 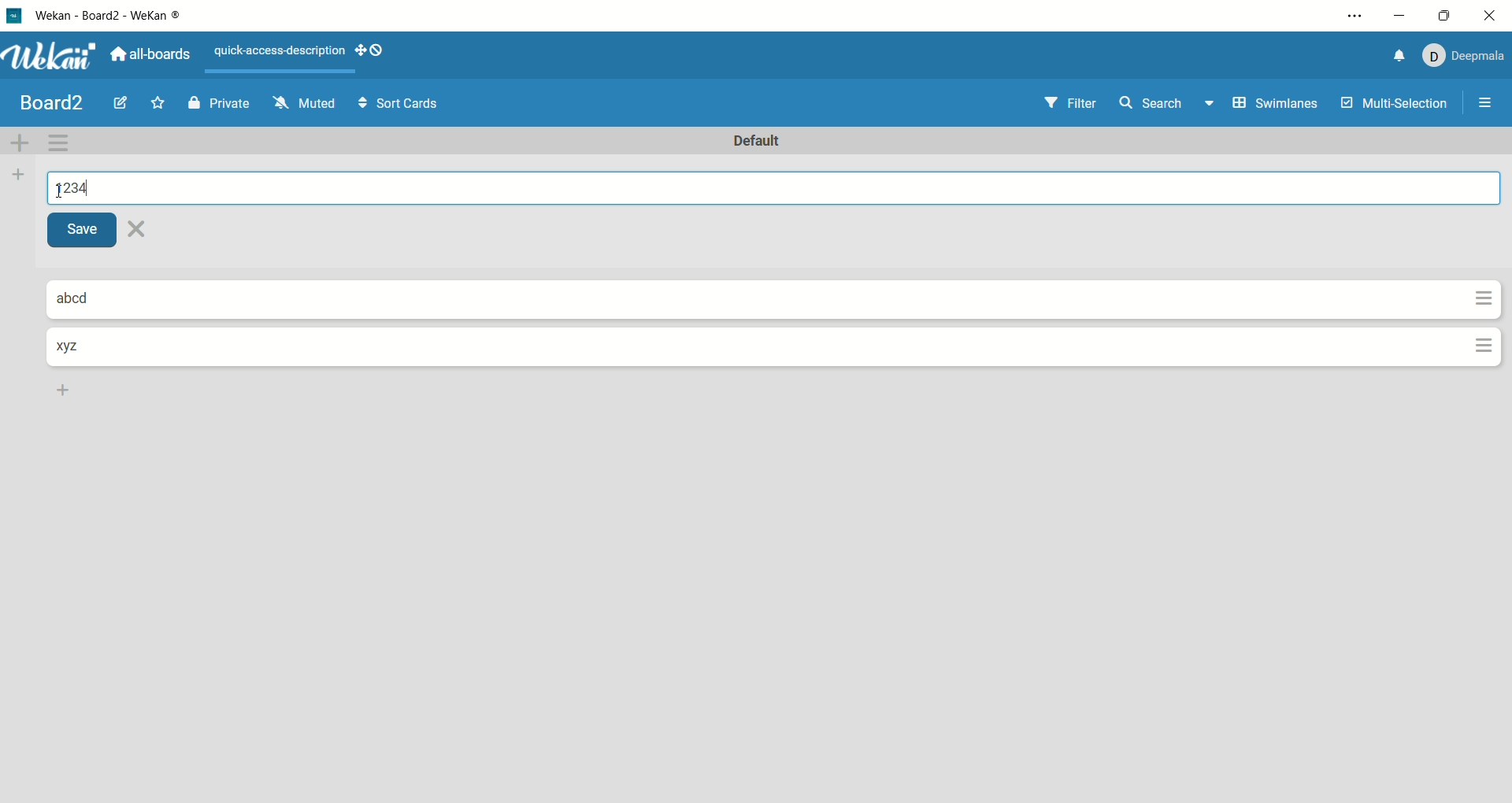 I want to click on add swimlane, so click(x=22, y=140).